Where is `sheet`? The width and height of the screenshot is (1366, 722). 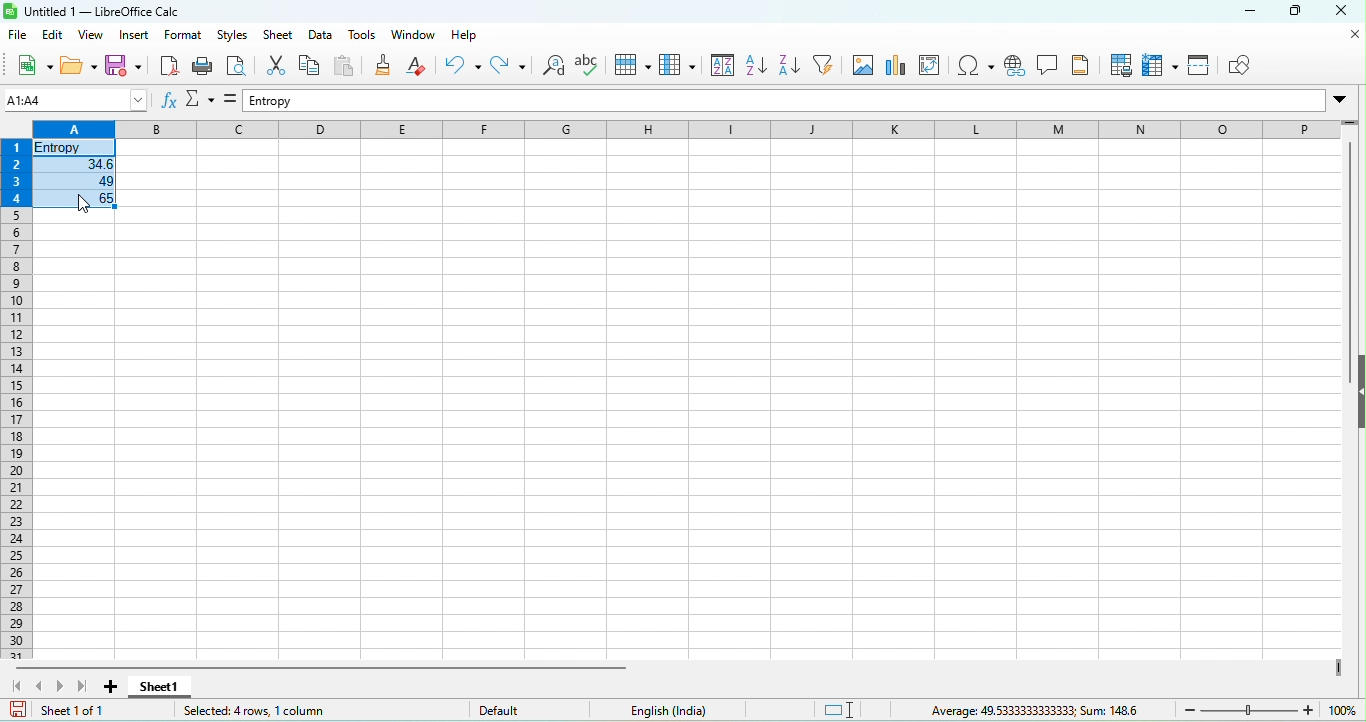 sheet is located at coordinates (278, 37).